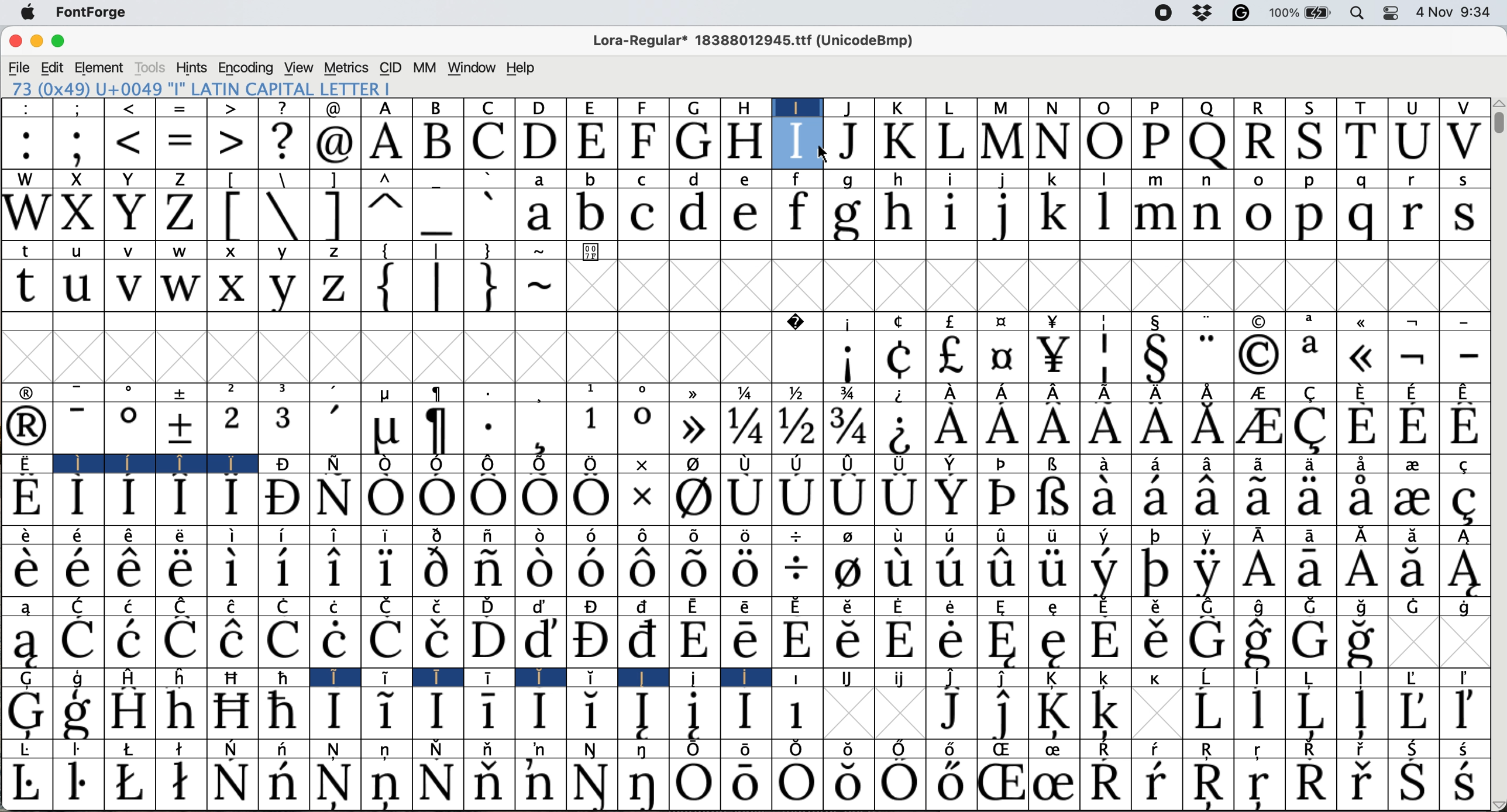  What do you see at coordinates (288, 605) in the screenshot?
I see `Symbol` at bounding box center [288, 605].